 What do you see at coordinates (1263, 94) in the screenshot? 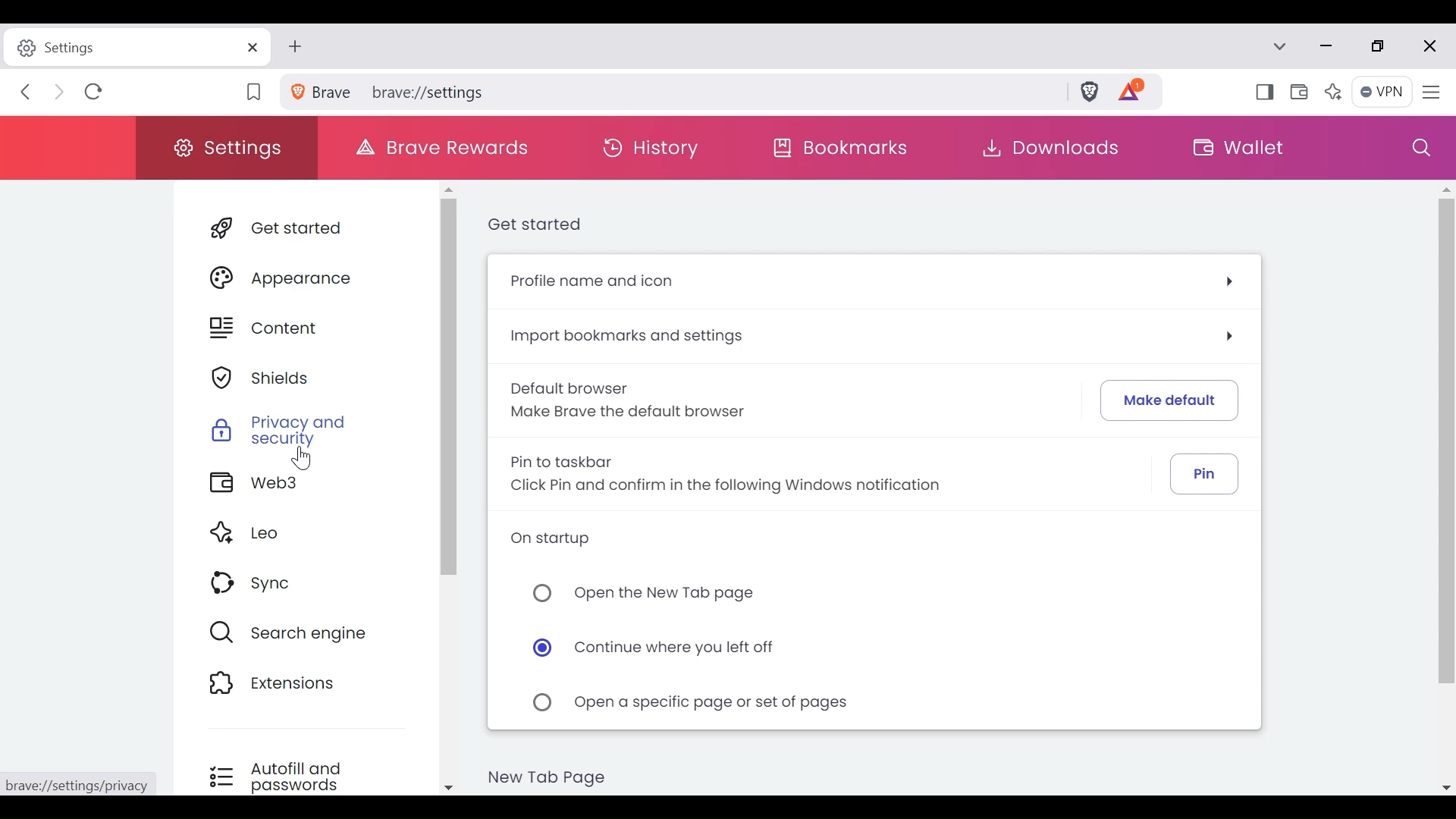
I see `Show/Hide Sidebar` at bounding box center [1263, 94].